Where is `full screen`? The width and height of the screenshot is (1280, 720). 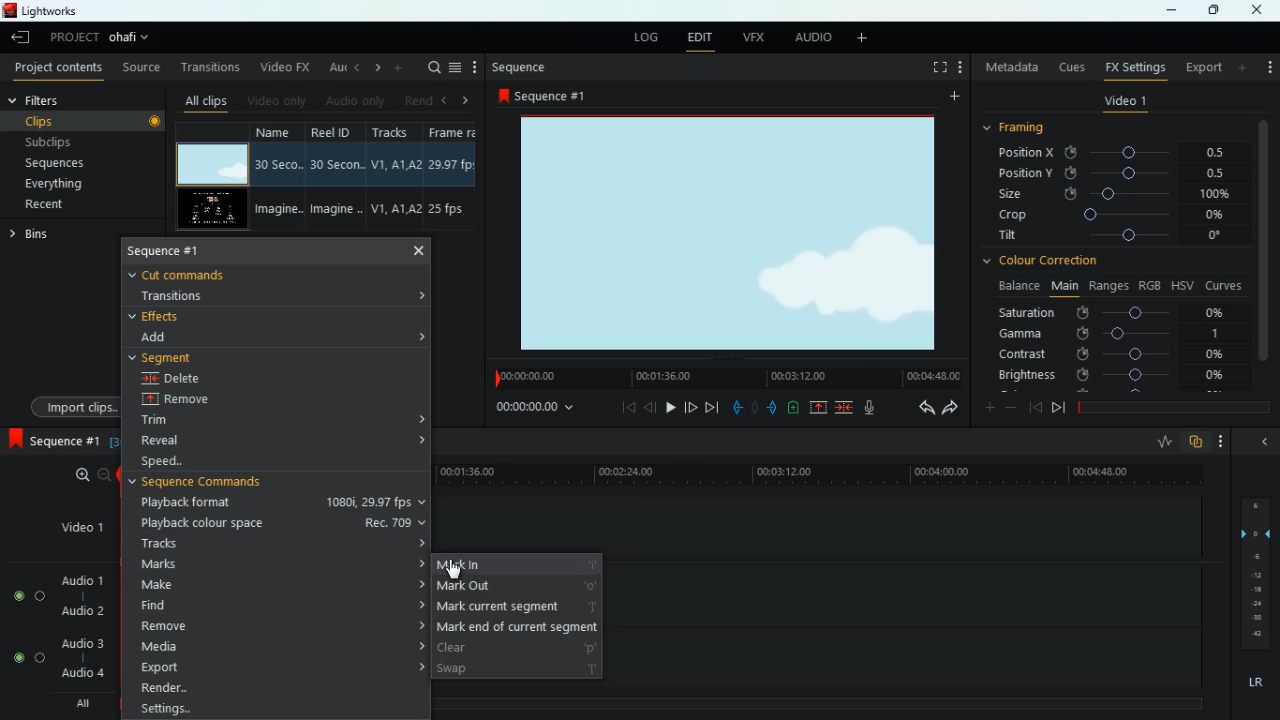
full screen is located at coordinates (937, 68).